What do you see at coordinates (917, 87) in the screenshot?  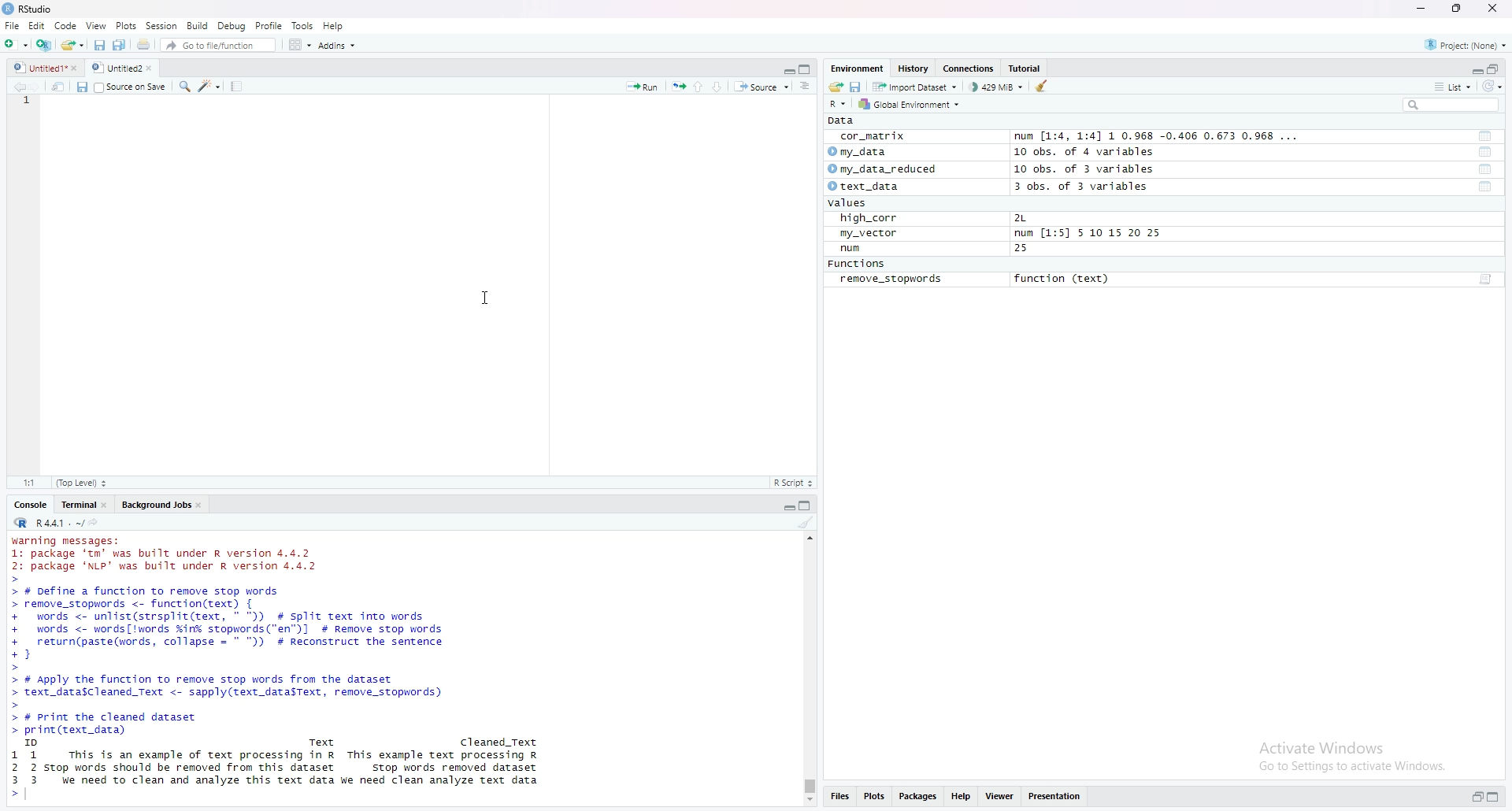 I see `import Dataset` at bounding box center [917, 87].